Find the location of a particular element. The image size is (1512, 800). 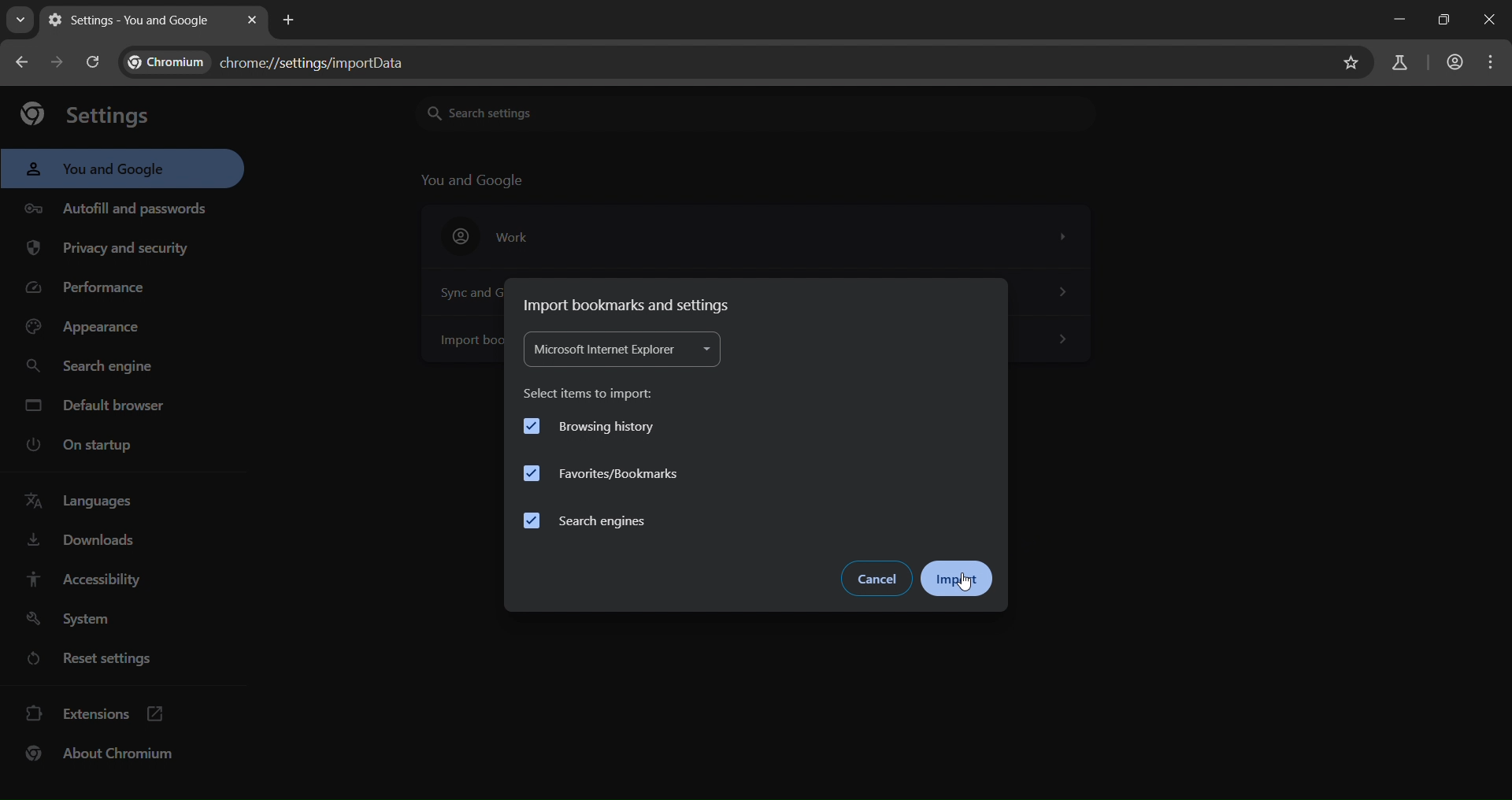

menu is located at coordinates (1497, 61).